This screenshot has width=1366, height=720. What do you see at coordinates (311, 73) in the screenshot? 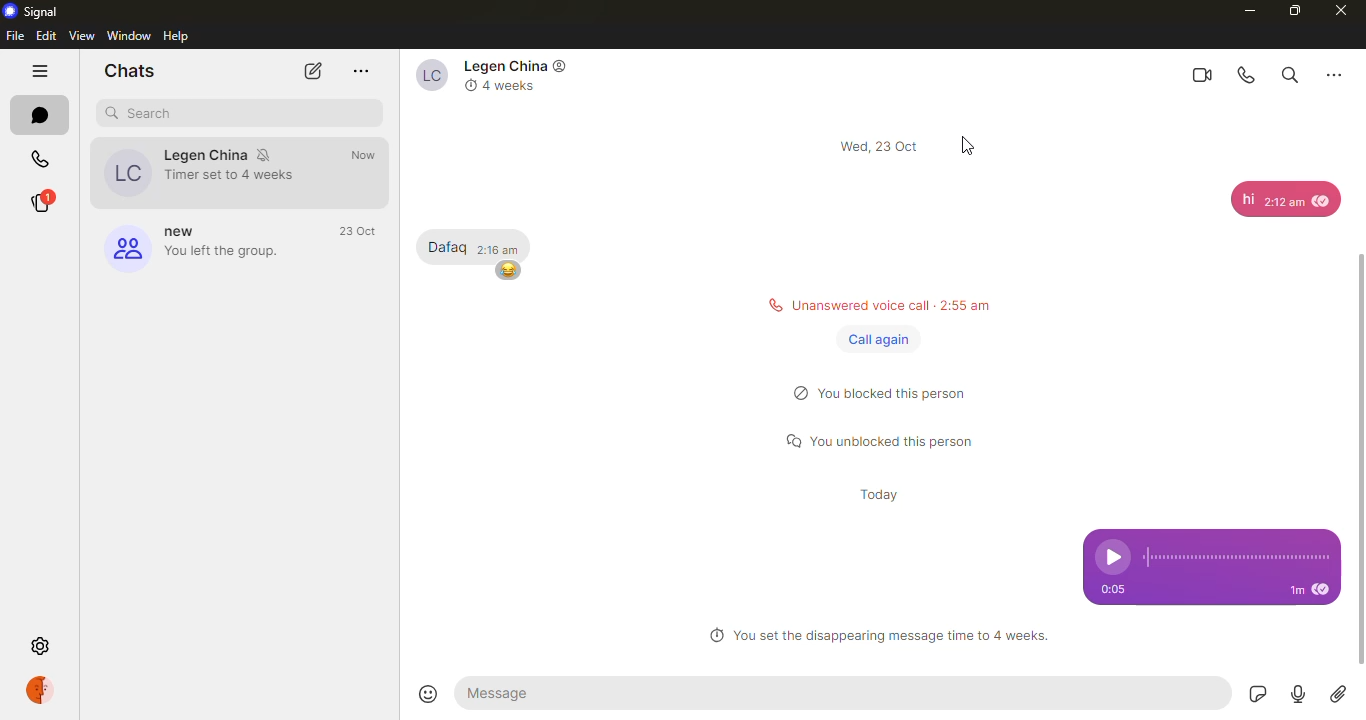
I see `new chat` at bounding box center [311, 73].